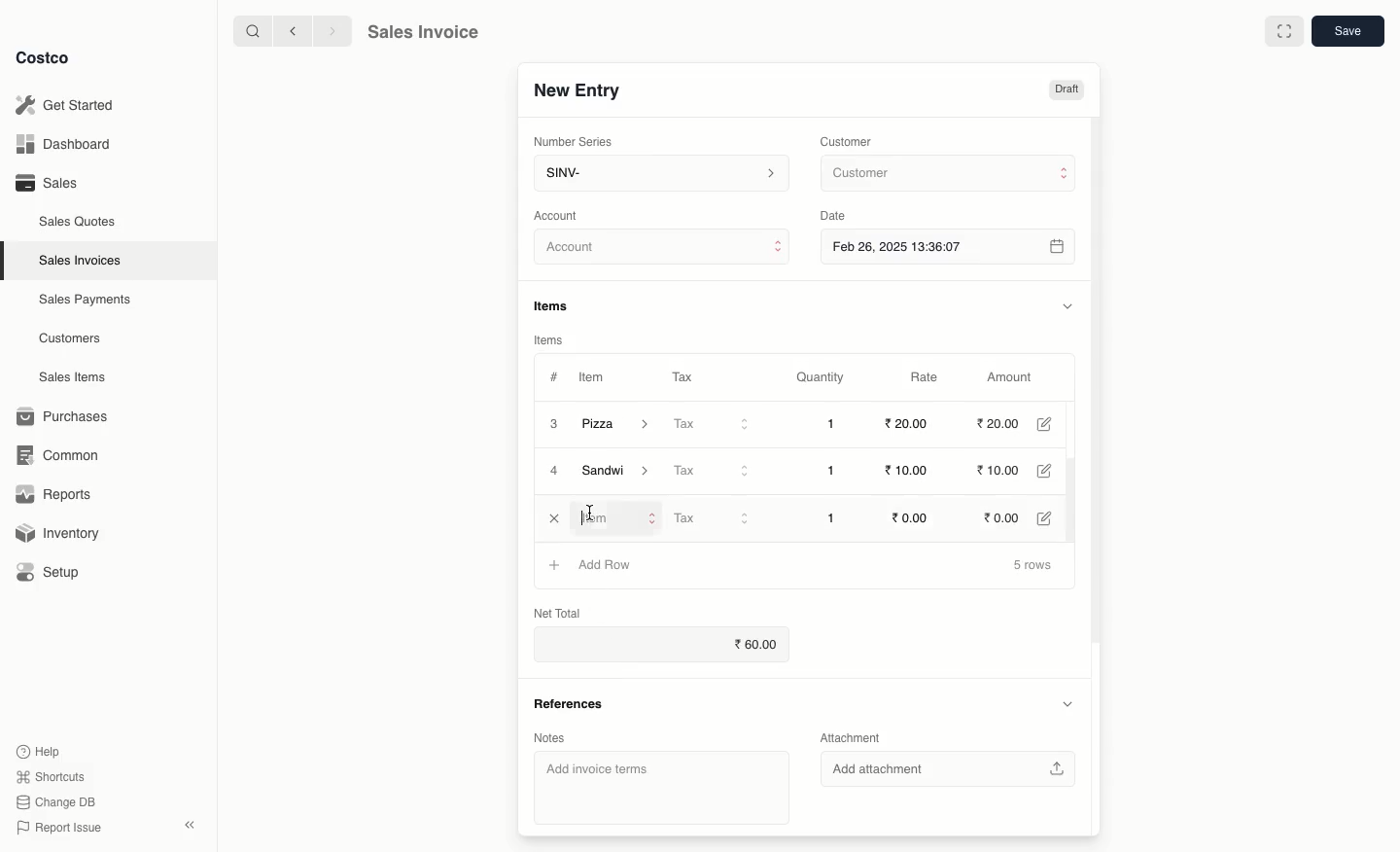 This screenshot has height=852, width=1400. Describe the element at coordinates (77, 377) in the screenshot. I see `Sales Items` at that location.